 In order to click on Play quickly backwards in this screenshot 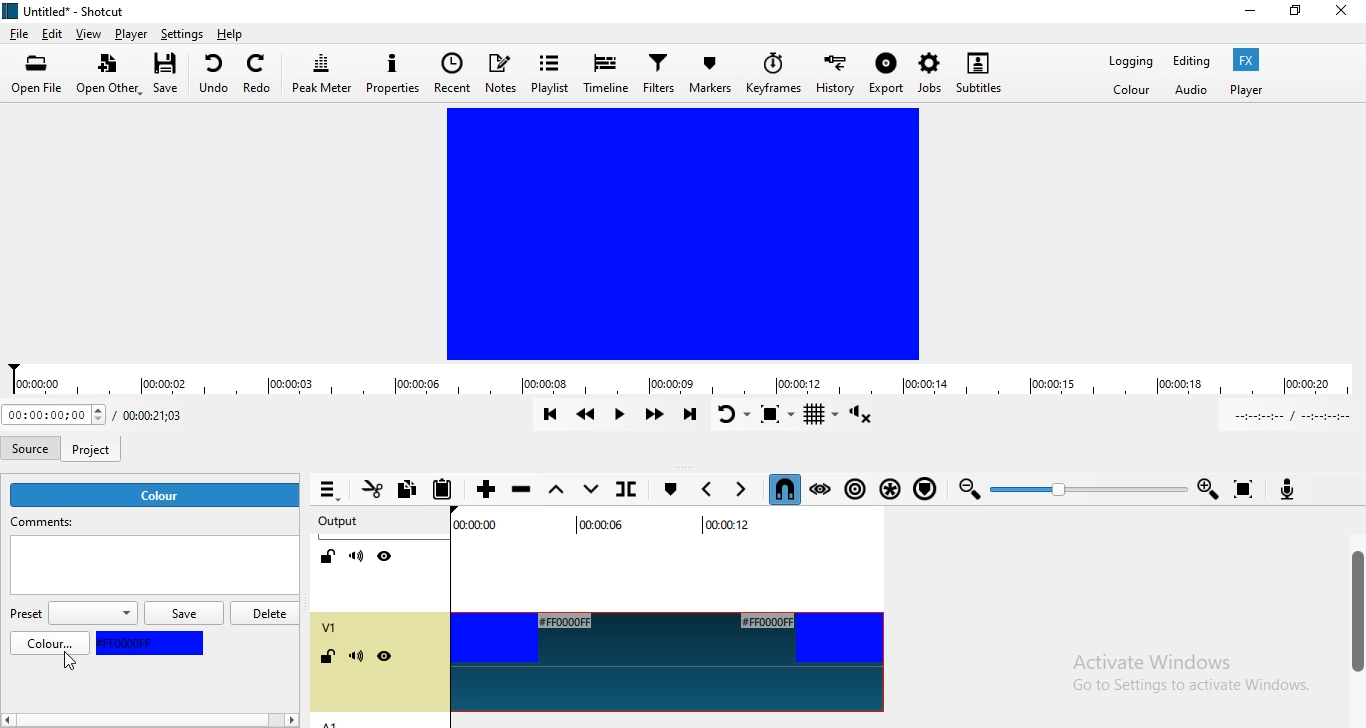, I will do `click(585, 414)`.